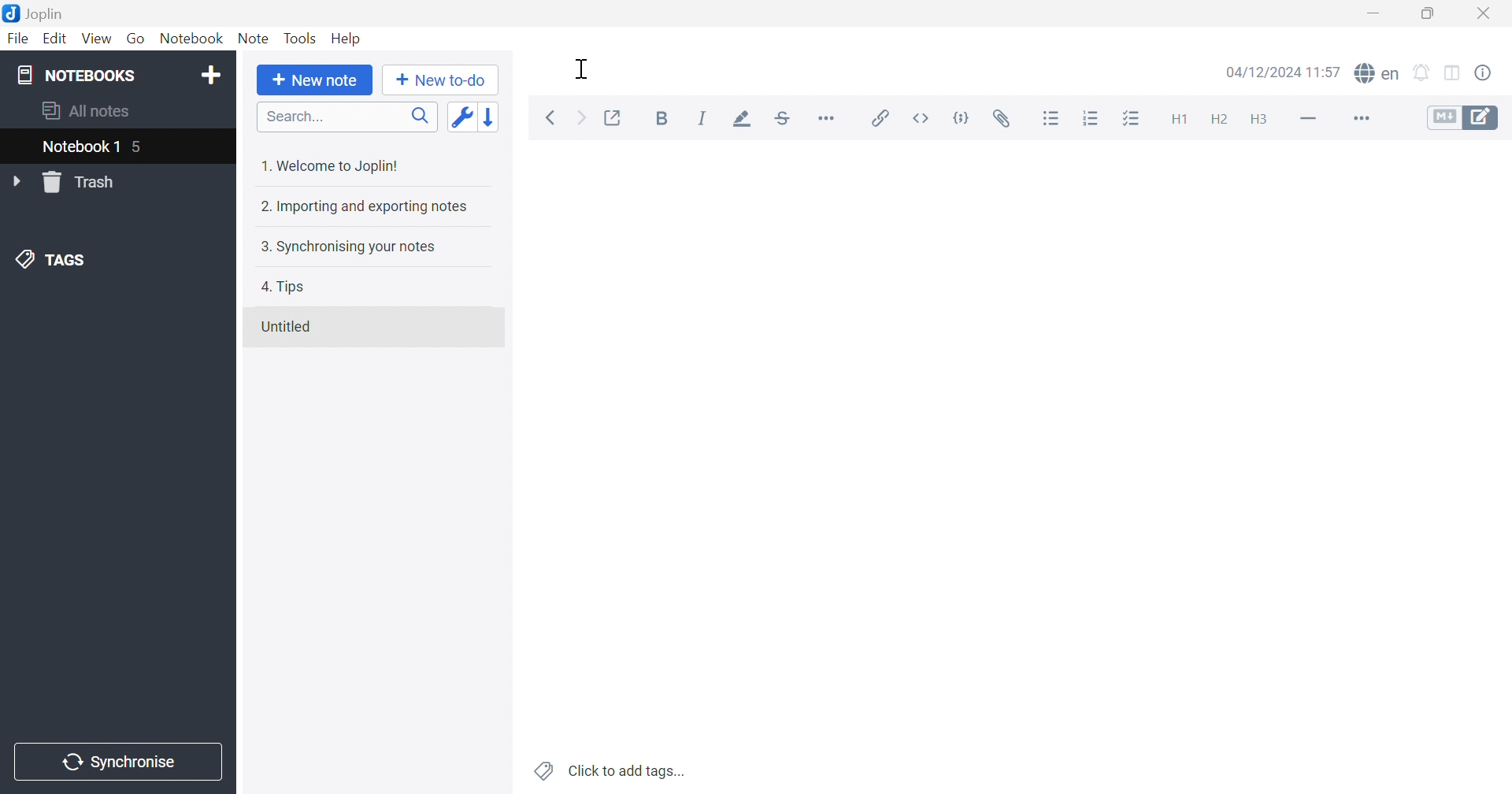 Image resolution: width=1512 pixels, height=794 pixels. What do you see at coordinates (962, 117) in the screenshot?
I see `Code` at bounding box center [962, 117].